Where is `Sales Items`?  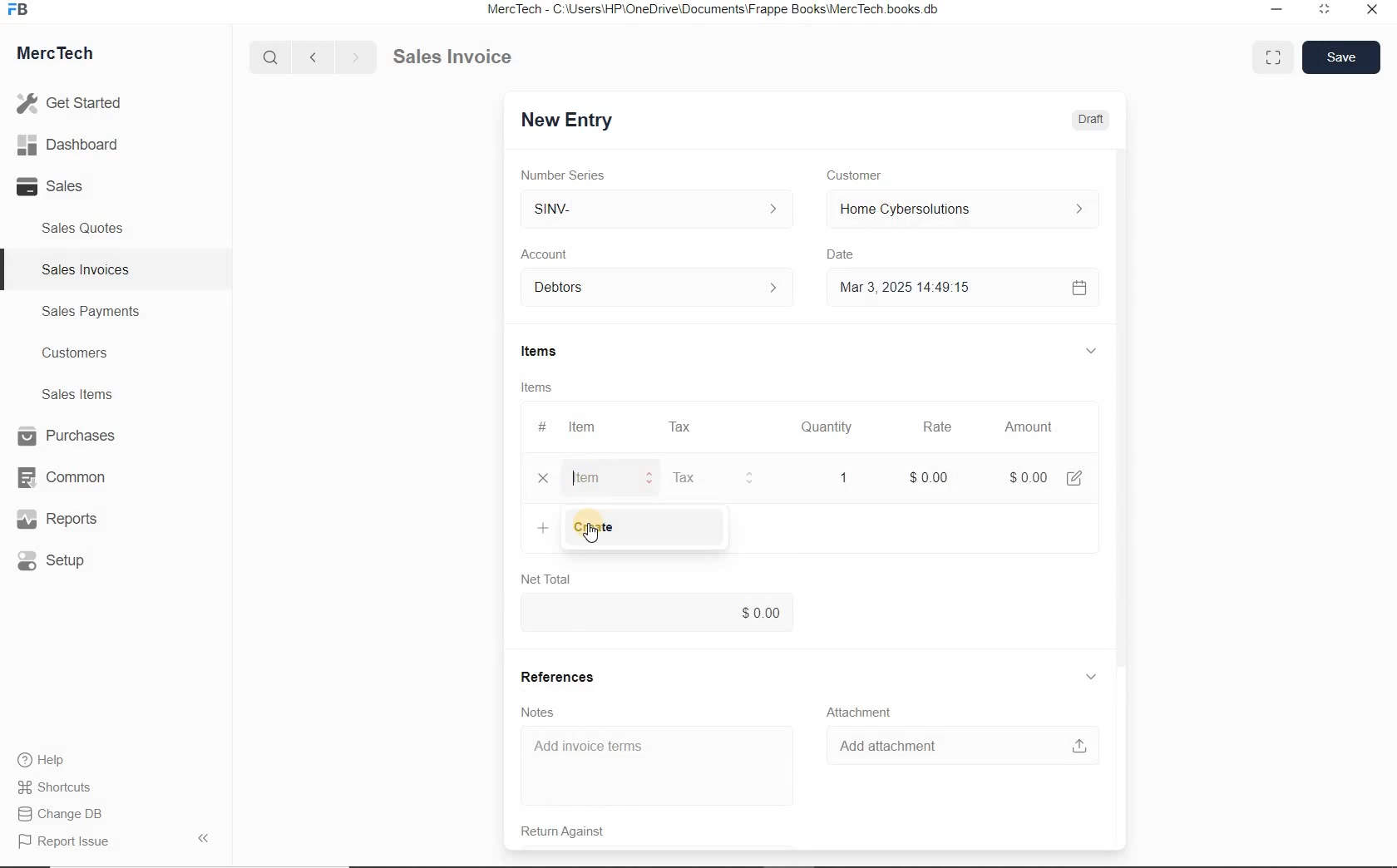
Sales Items is located at coordinates (88, 394).